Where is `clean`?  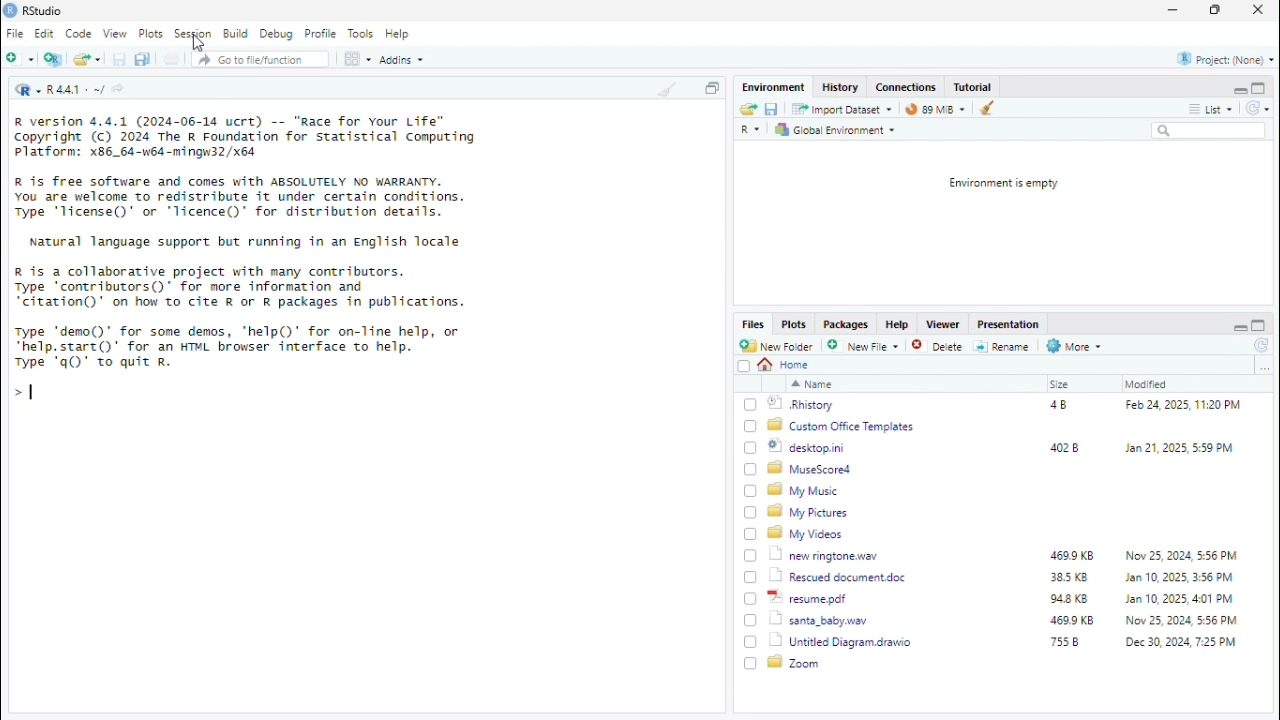
clean is located at coordinates (669, 87).